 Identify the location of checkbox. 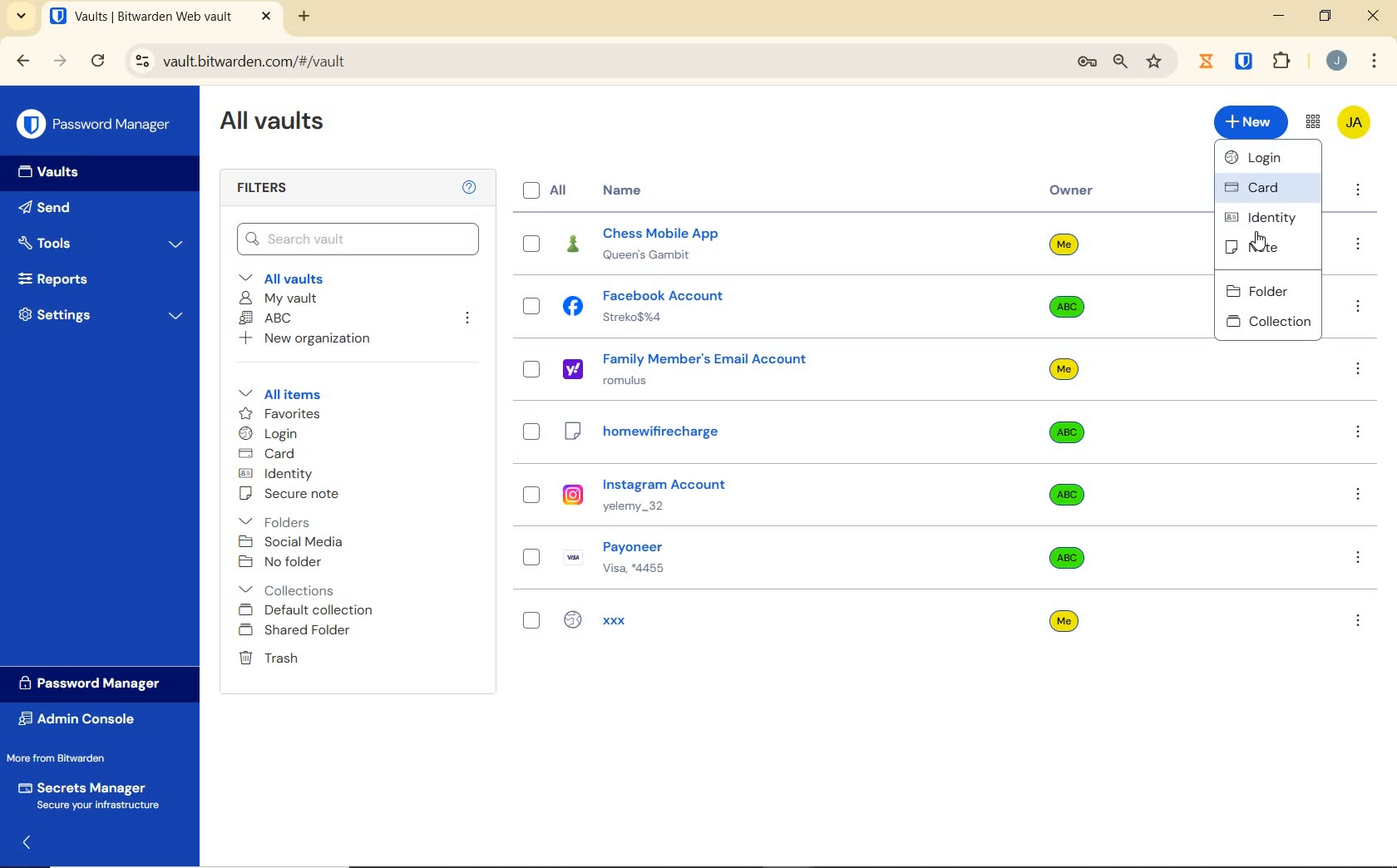
(532, 308).